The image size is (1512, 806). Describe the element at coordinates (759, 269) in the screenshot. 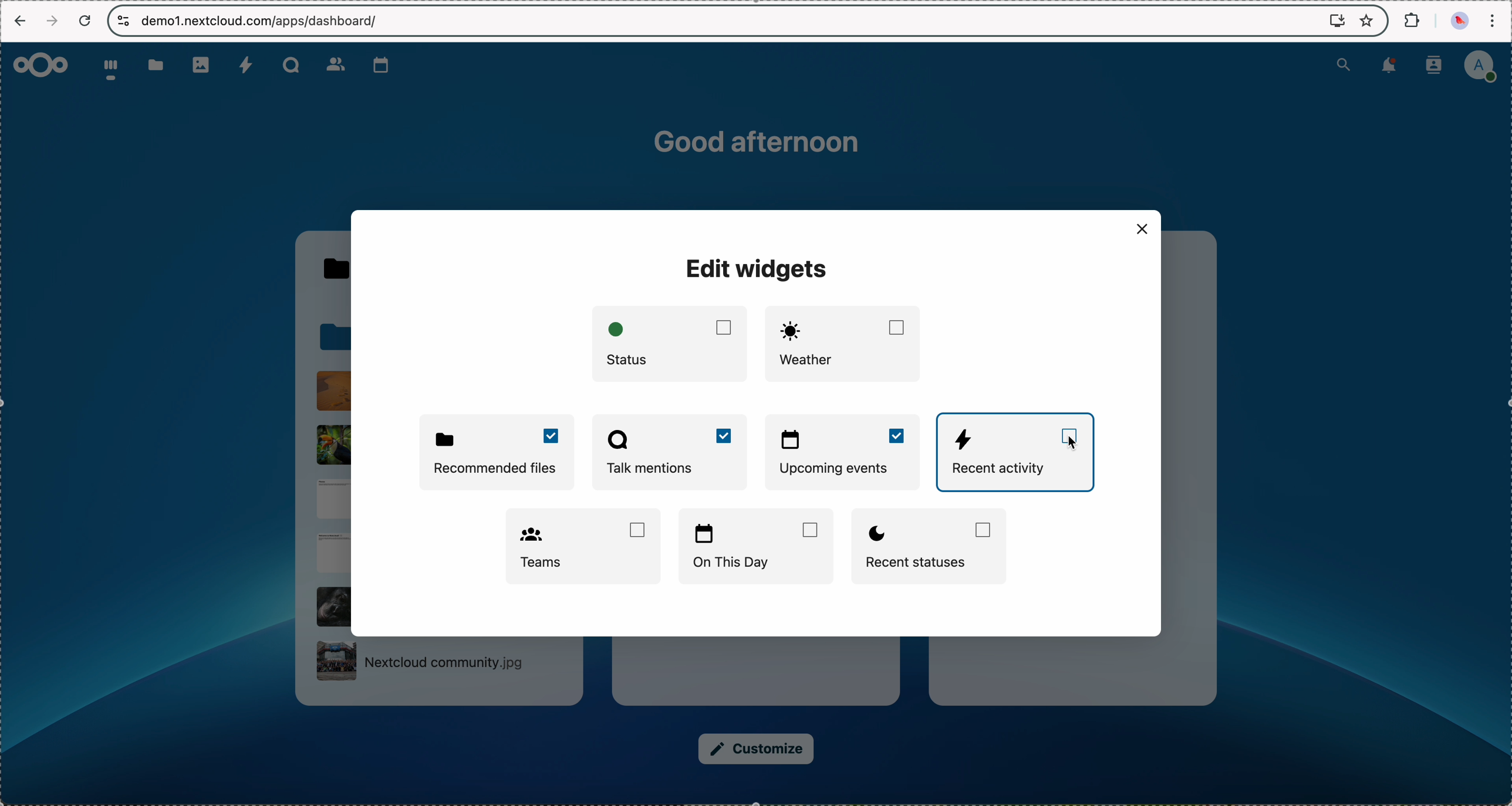

I see `edit widgets` at that location.